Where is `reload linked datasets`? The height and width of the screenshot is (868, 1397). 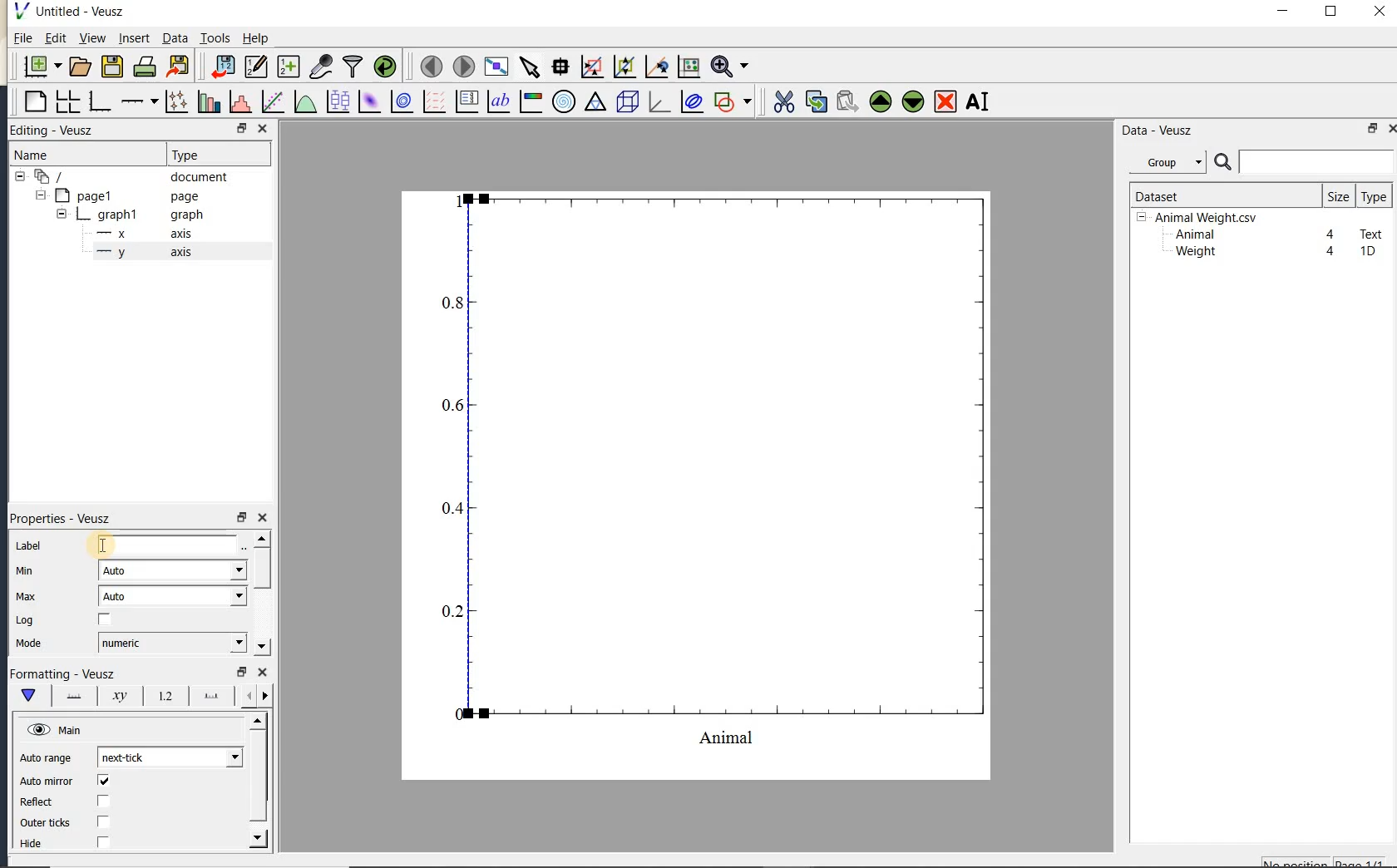 reload linked datasets is located at coordinates (385, 65).